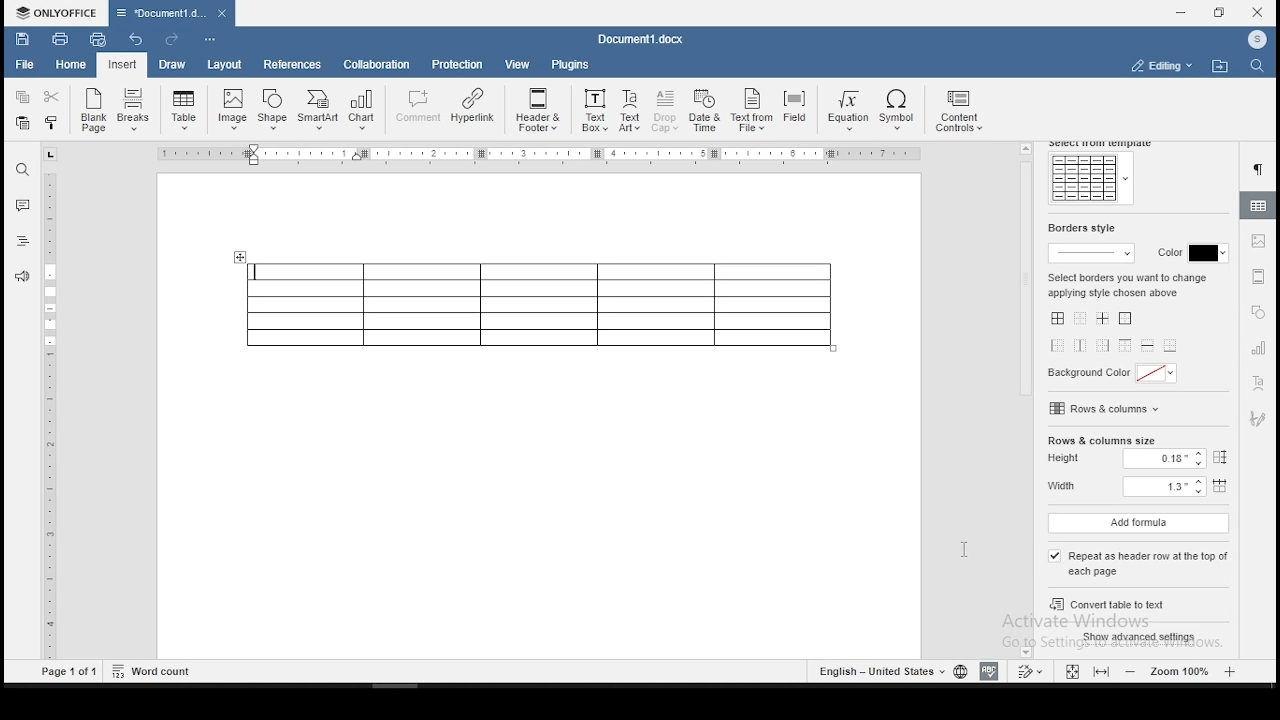  Describe the element at coordinates (666, 112) in the screenshot. I see `Drop Cap` at that location.